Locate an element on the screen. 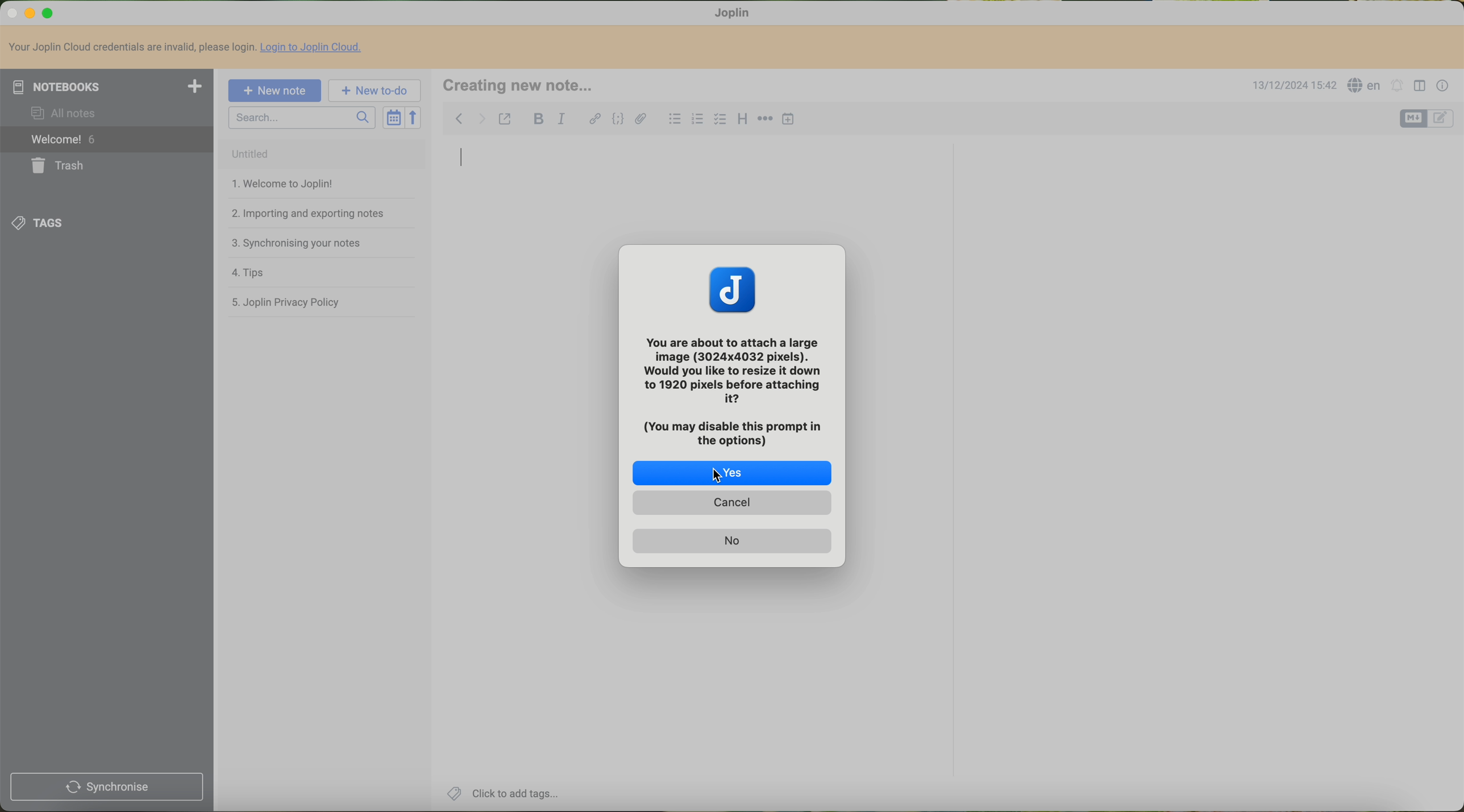 The image size is (1464, 812). italic is located at coordinates (561, 119).